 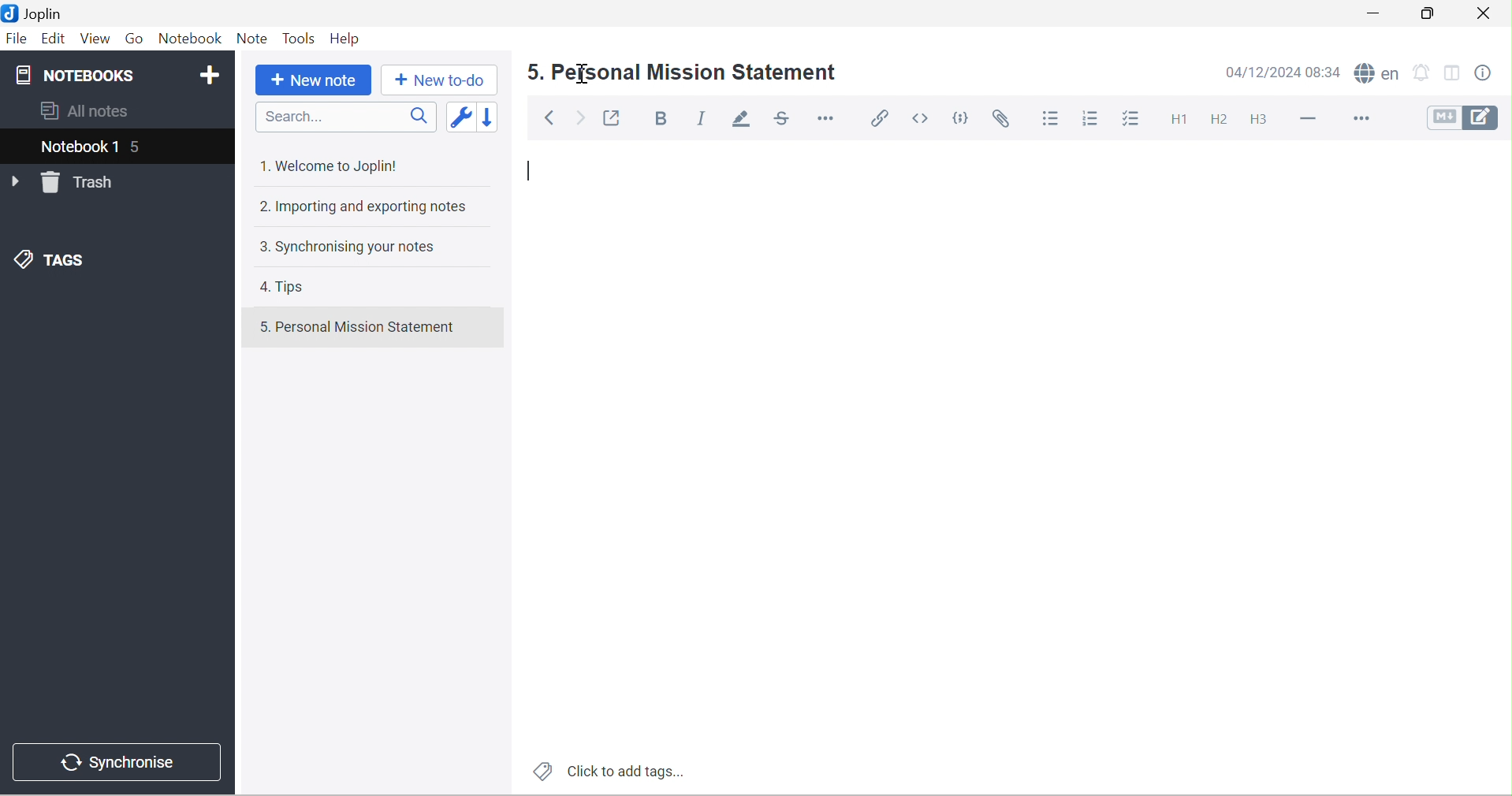 I want to click on TAGS, so click(x=50, y=258).